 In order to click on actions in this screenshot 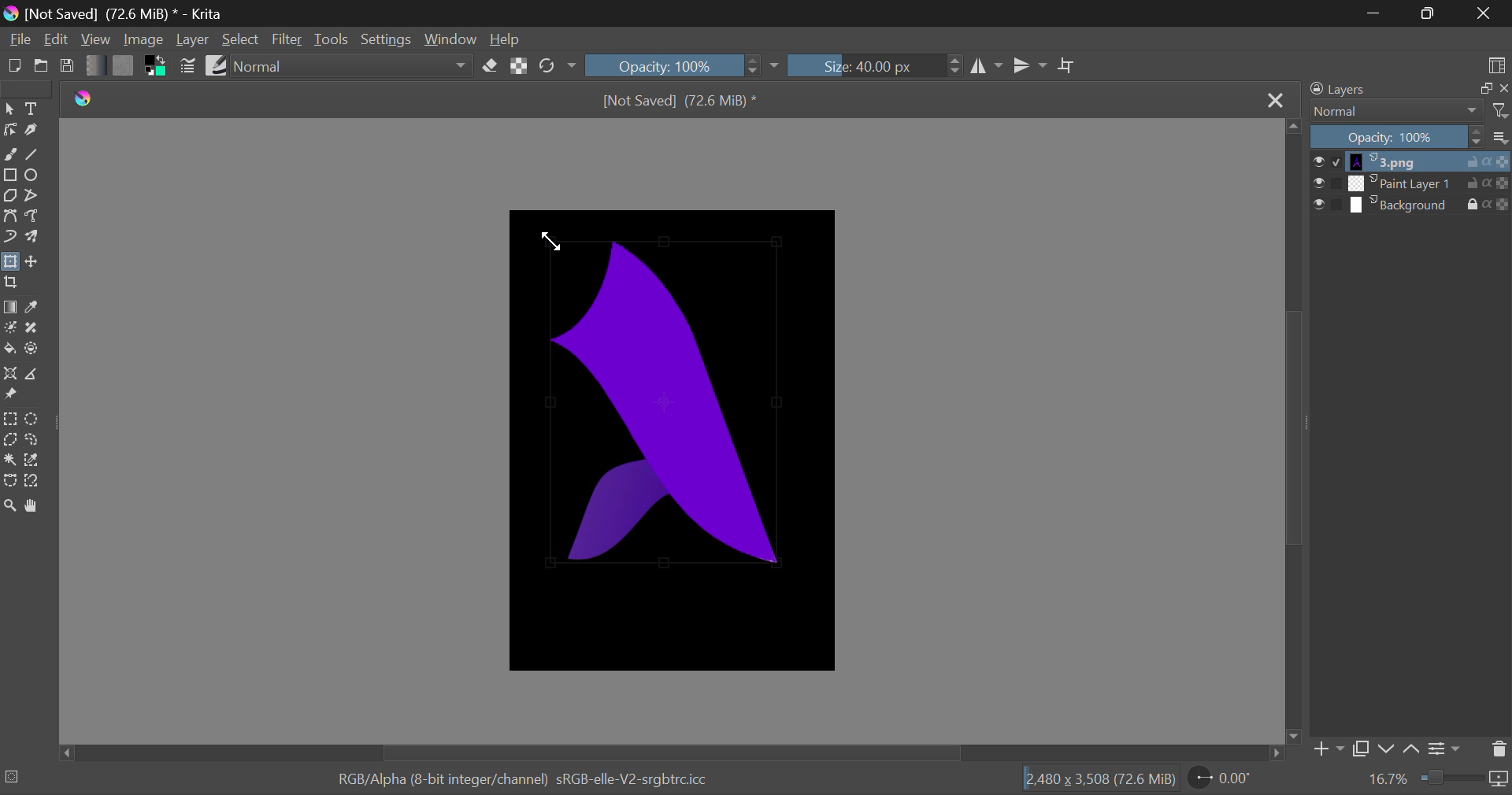, I will do `click(1488, 204)`.